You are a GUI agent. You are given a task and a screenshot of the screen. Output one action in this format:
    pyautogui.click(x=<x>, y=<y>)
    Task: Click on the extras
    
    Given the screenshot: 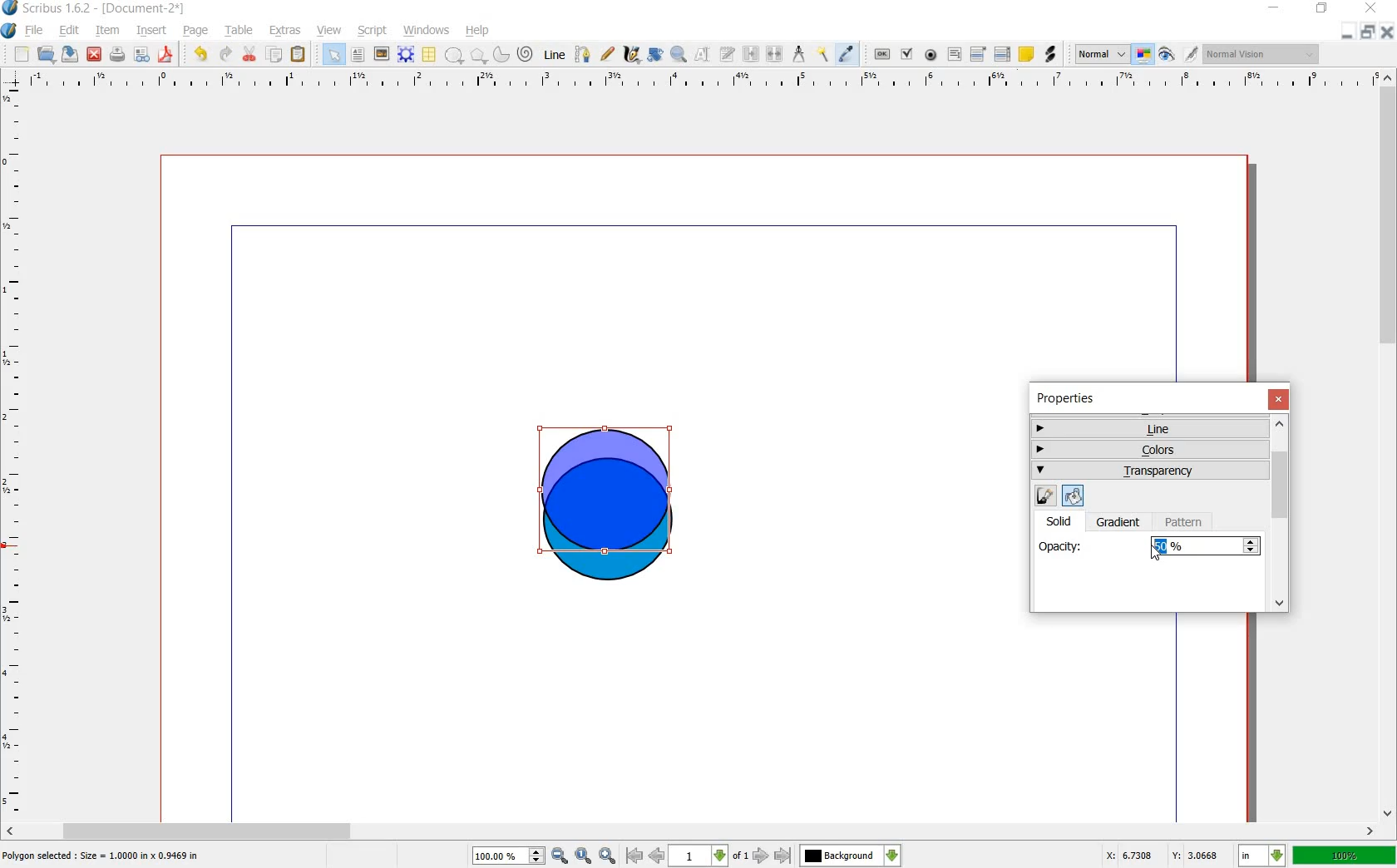 What is the action you would take?
    pyautogui.click(x=285, y=31)
    